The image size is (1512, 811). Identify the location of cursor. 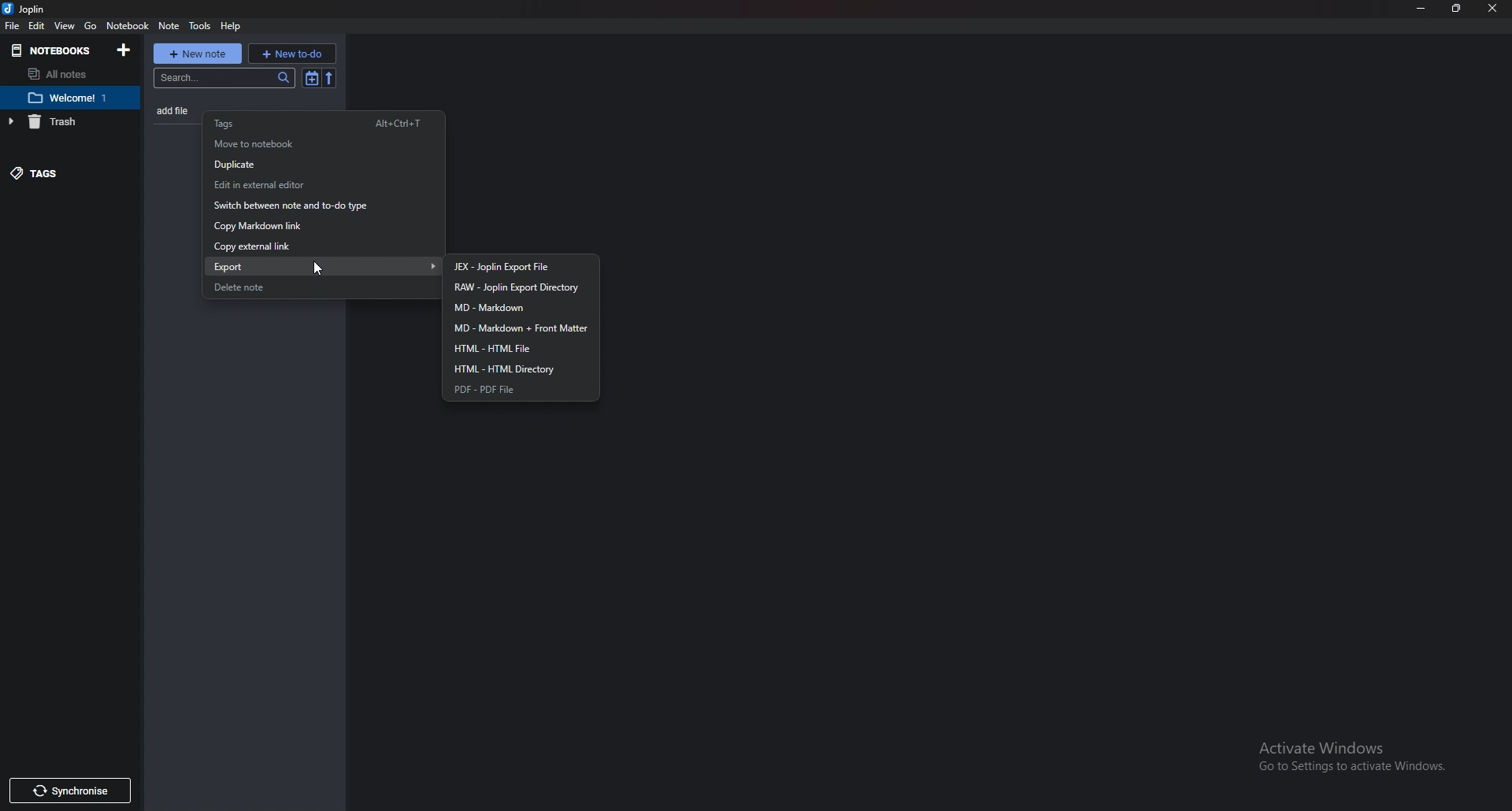
(317, 269).